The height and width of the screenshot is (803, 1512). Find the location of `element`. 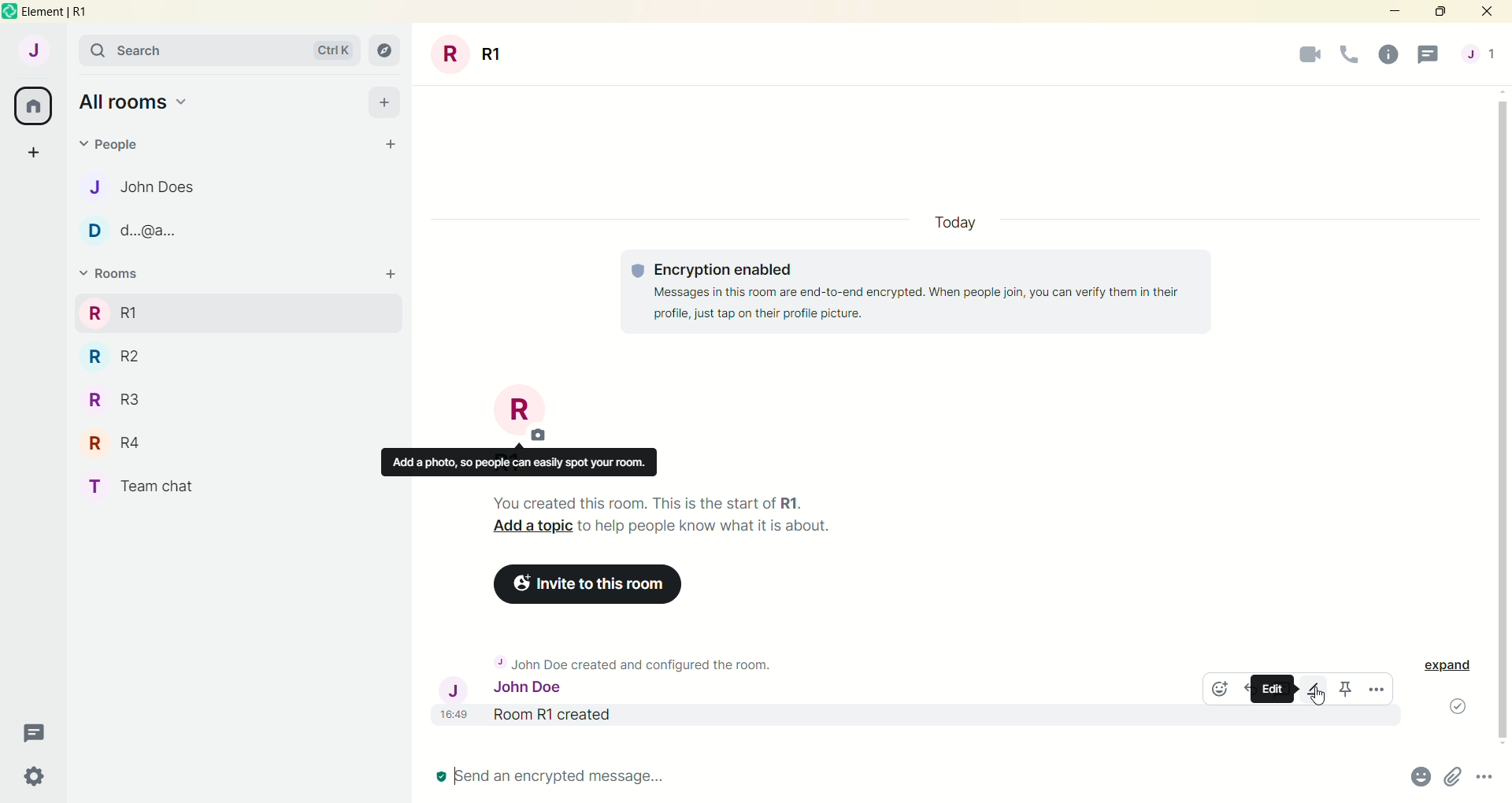

element is located at coordinates (69, 13).